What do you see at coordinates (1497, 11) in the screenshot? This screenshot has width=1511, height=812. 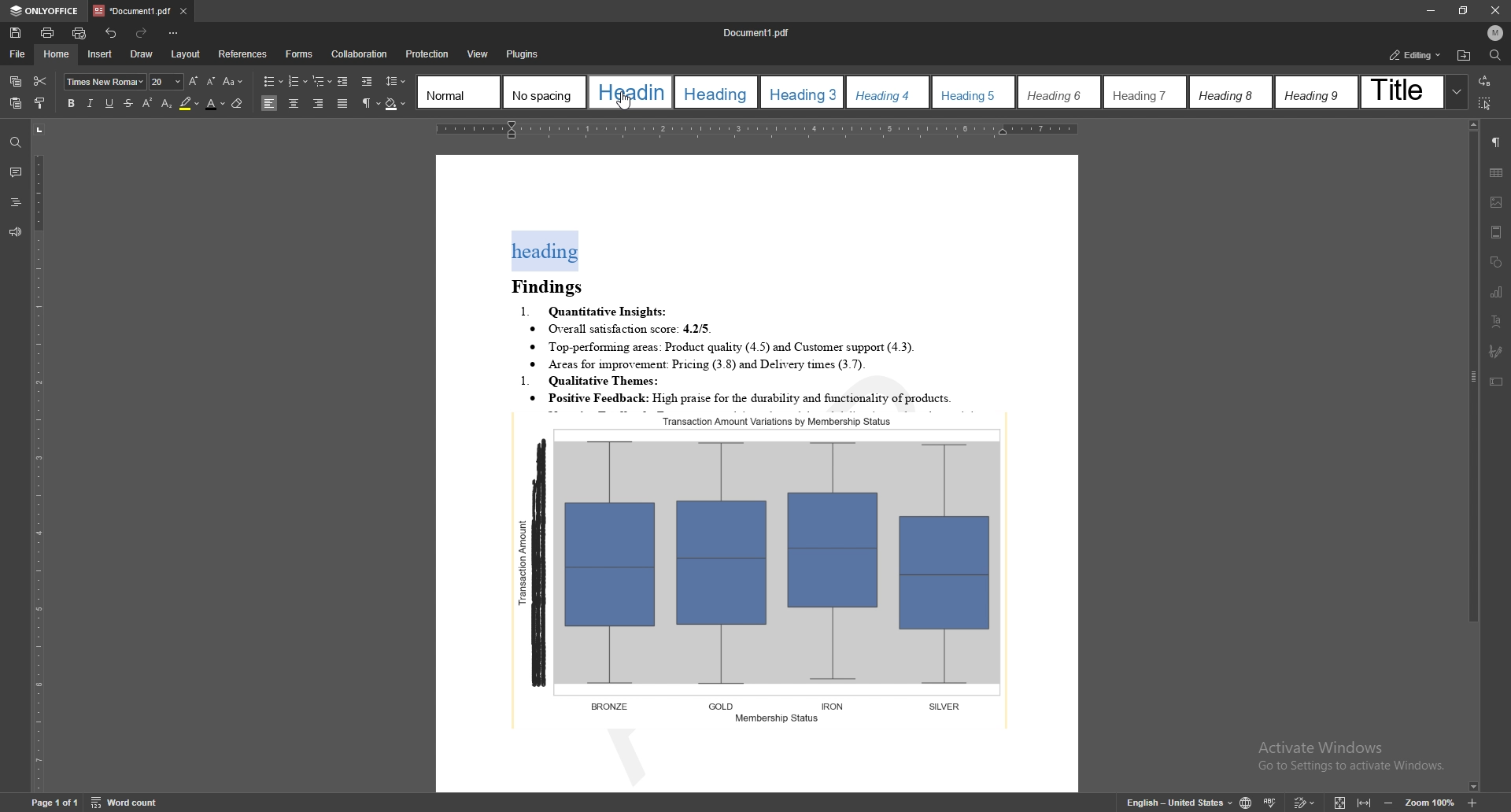 I see `close` at bounding box center [1497, 11].